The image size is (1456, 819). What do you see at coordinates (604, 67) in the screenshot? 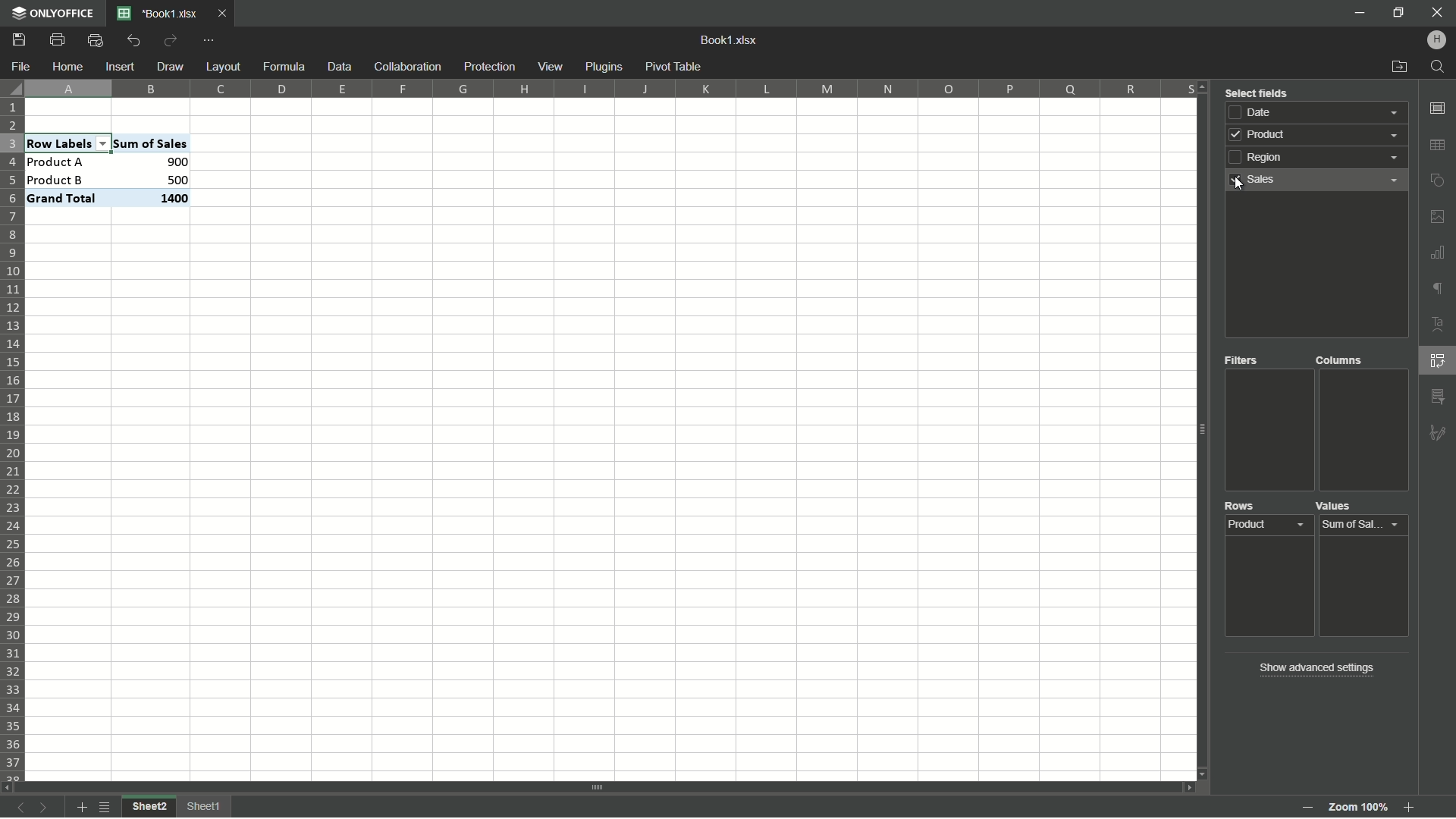
I see `plugins` at bounding box center [604, 67].